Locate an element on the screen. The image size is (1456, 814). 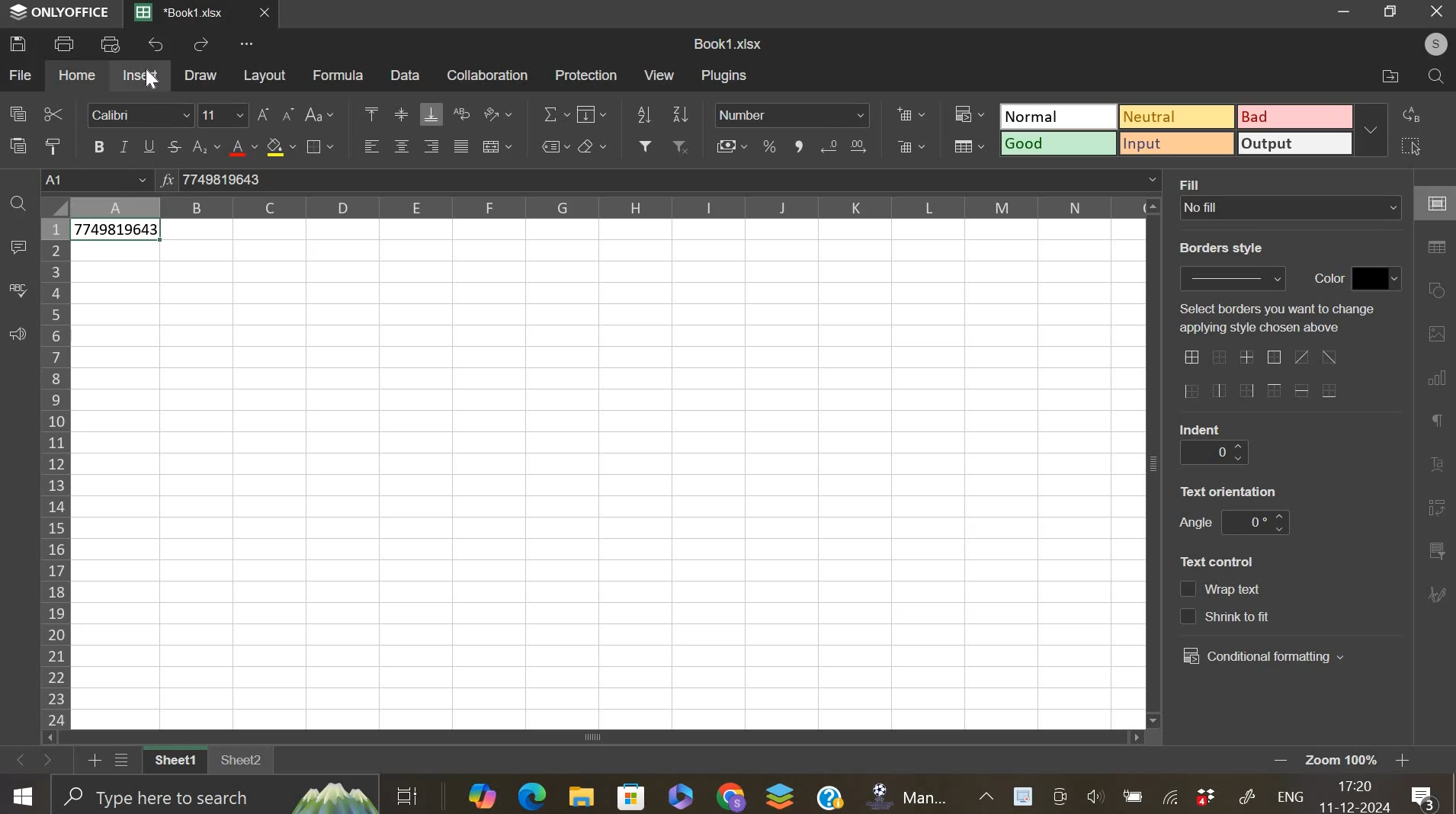
data is located at coordinates (407, 75).